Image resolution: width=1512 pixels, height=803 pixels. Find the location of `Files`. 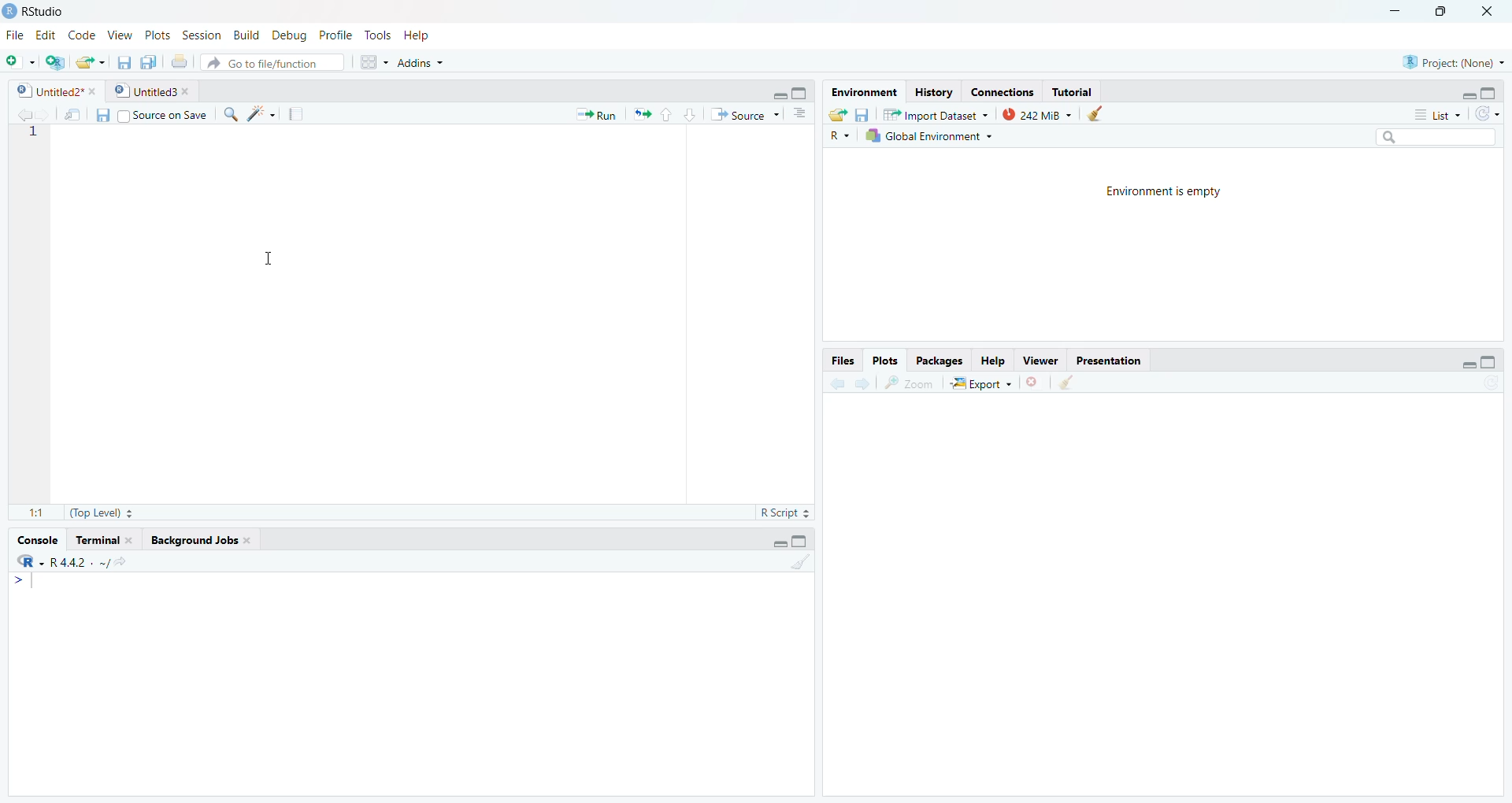

Files is located at coordinates (843, 361).